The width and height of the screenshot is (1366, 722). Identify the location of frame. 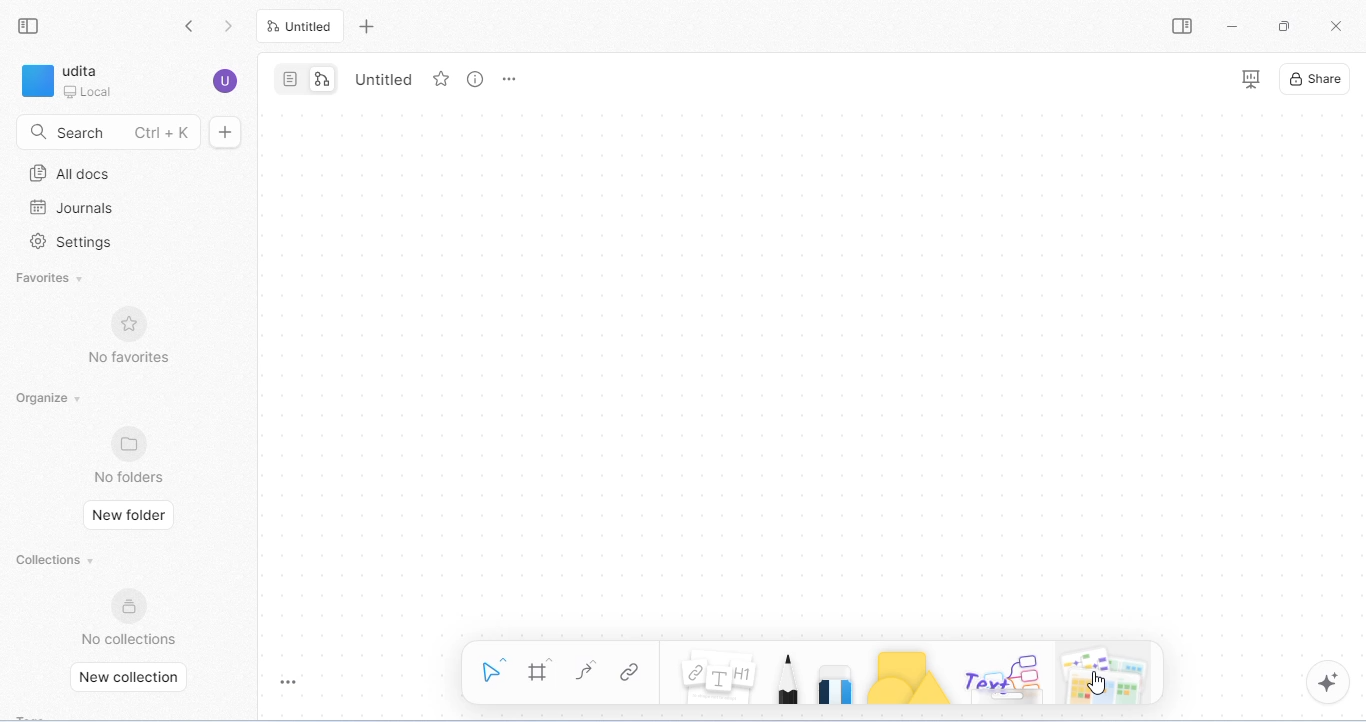
(540, 670).